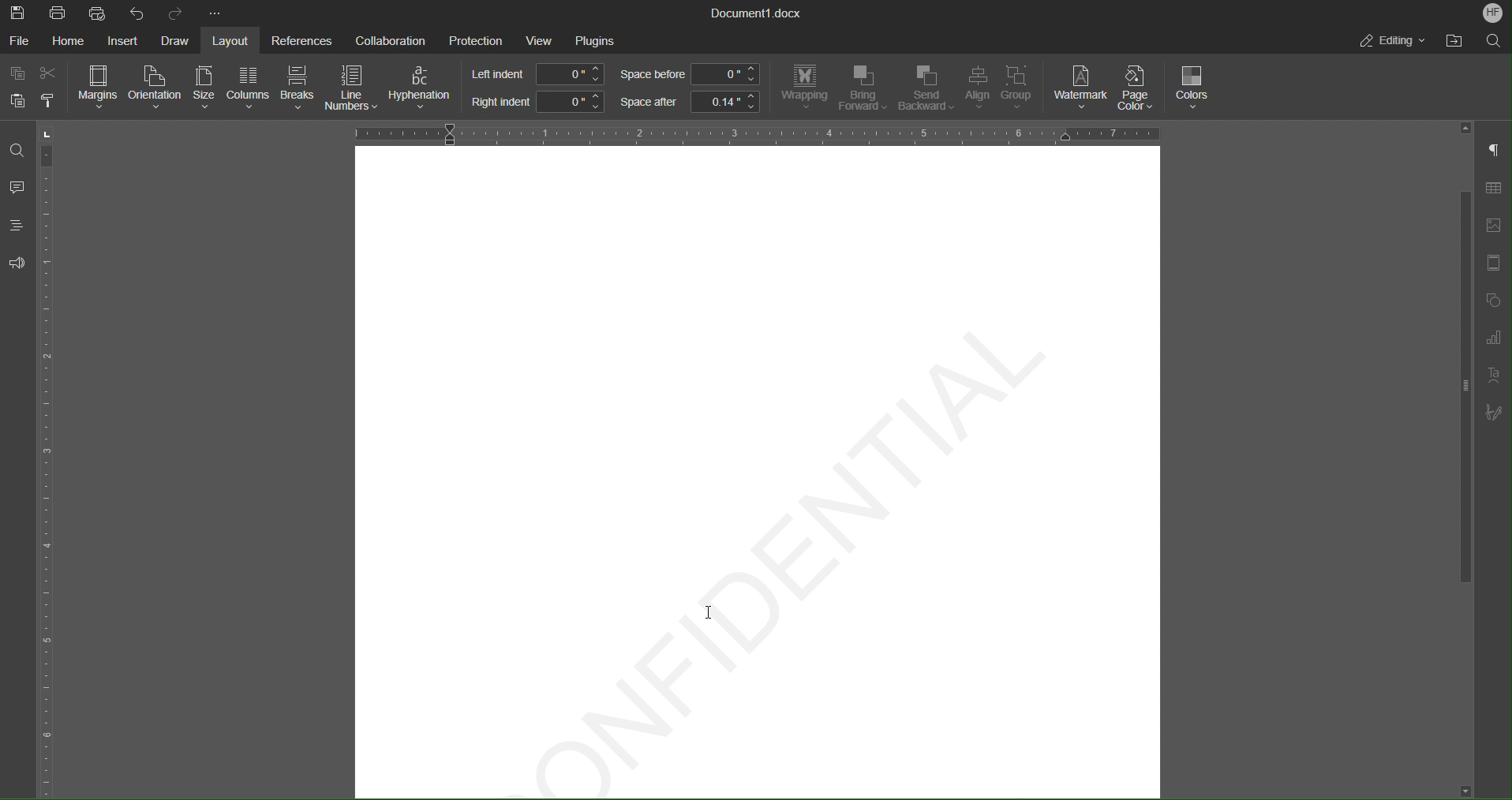  I want to click on Graph Settings, so click(1493, 341).